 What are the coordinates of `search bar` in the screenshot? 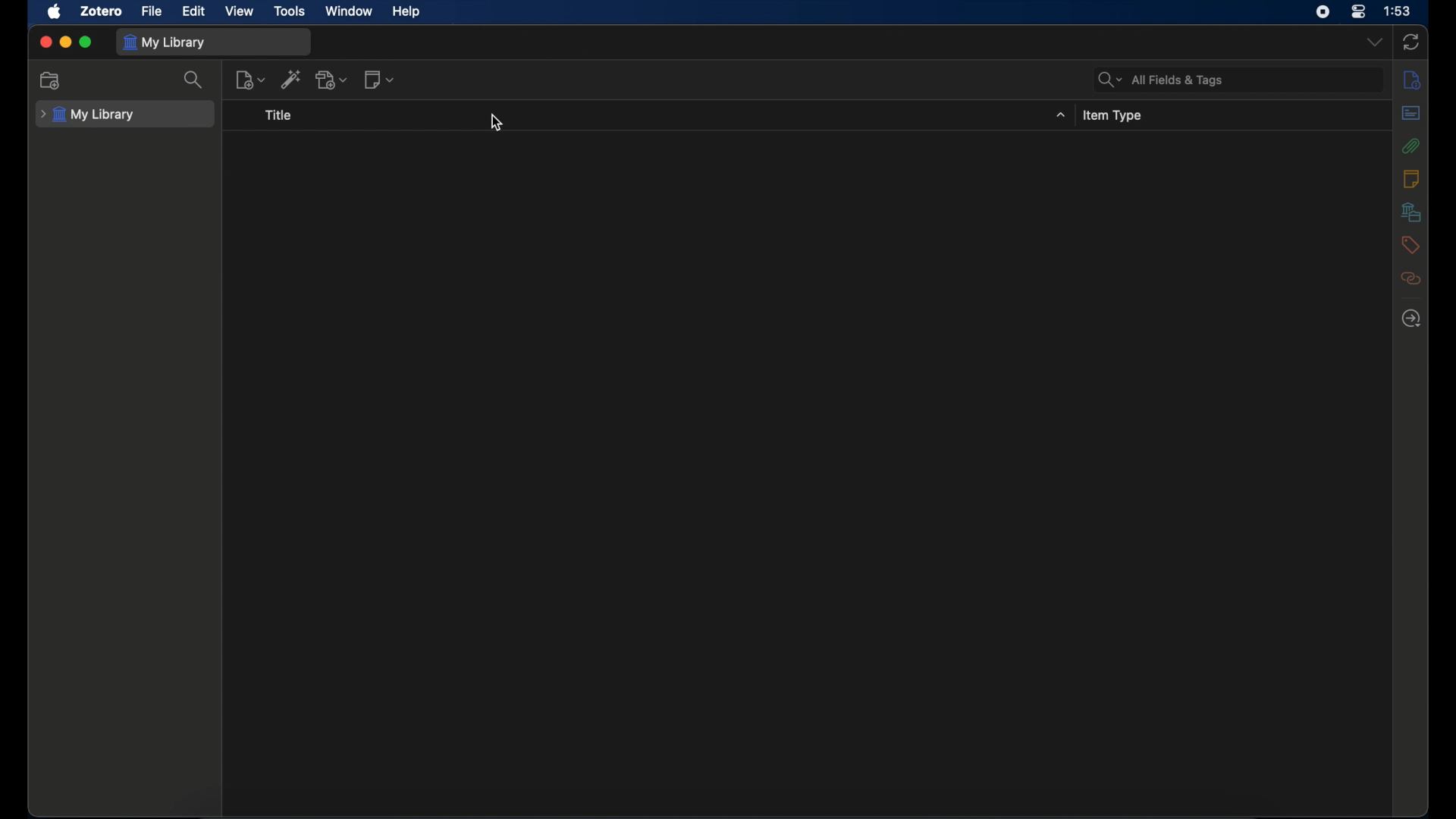 It's located at (1160, 80).